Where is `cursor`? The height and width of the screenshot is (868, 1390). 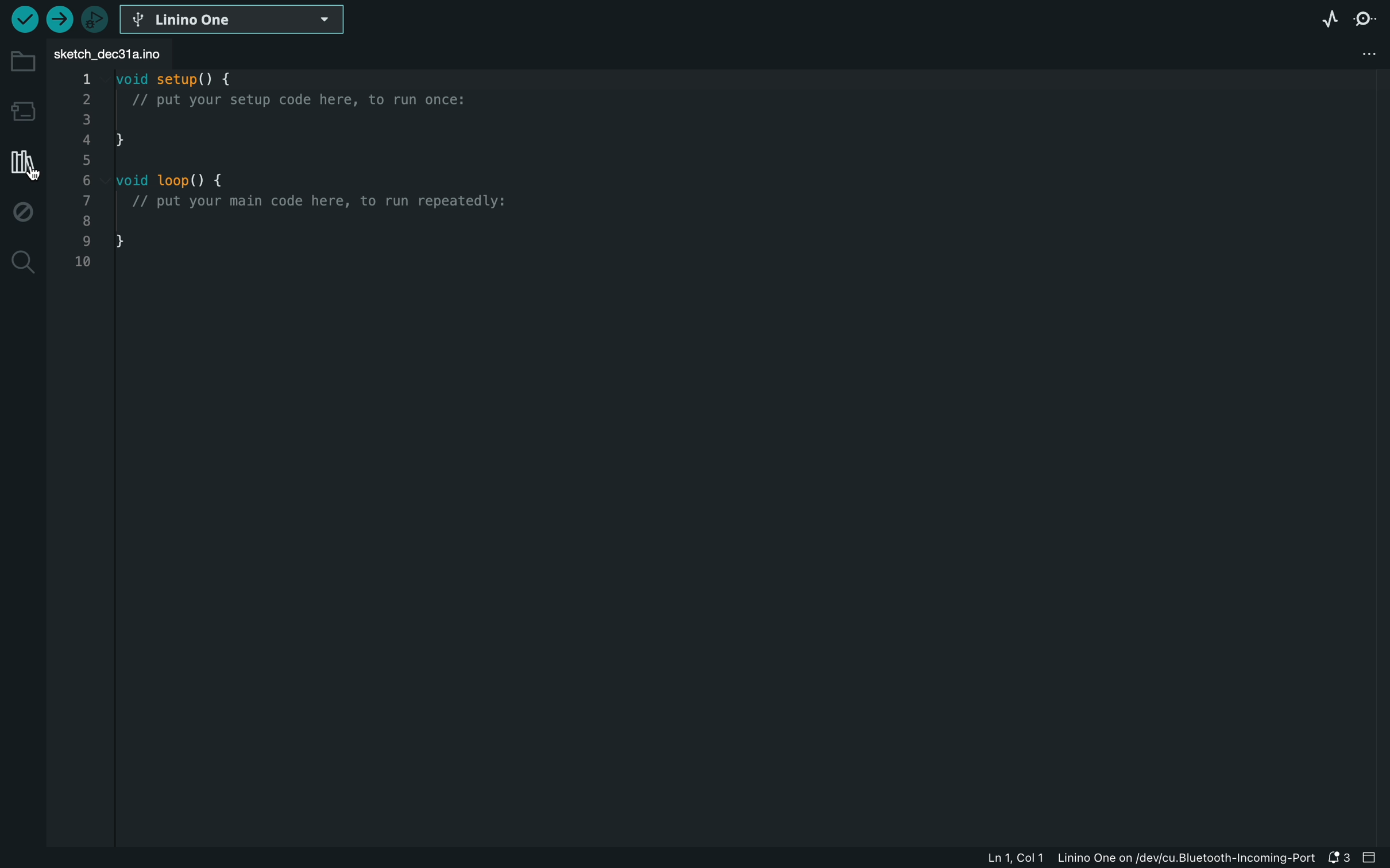 cursor is located at coordinates (33, 170).